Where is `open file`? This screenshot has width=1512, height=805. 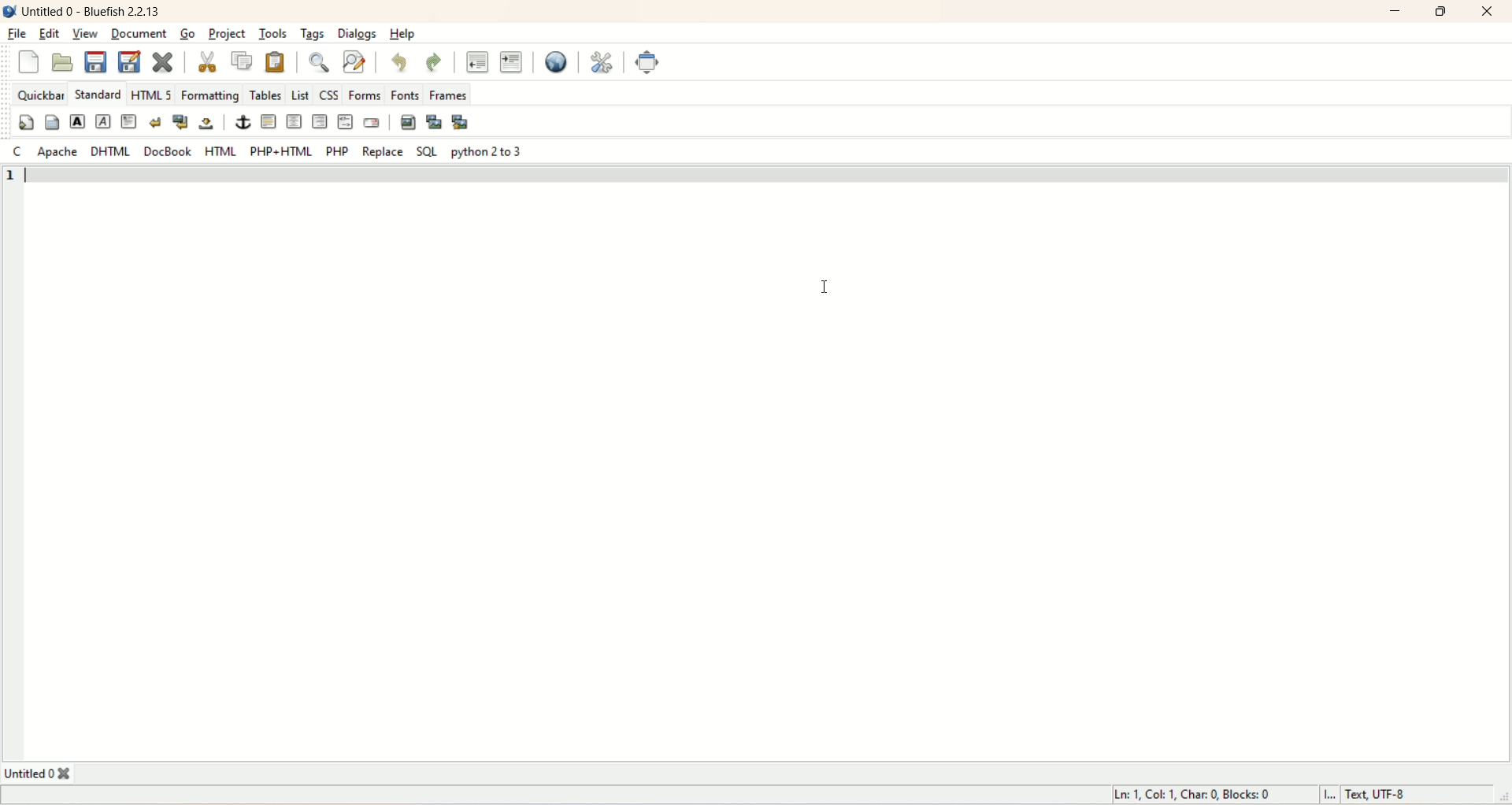
open file is located at coordinates (65, 62).